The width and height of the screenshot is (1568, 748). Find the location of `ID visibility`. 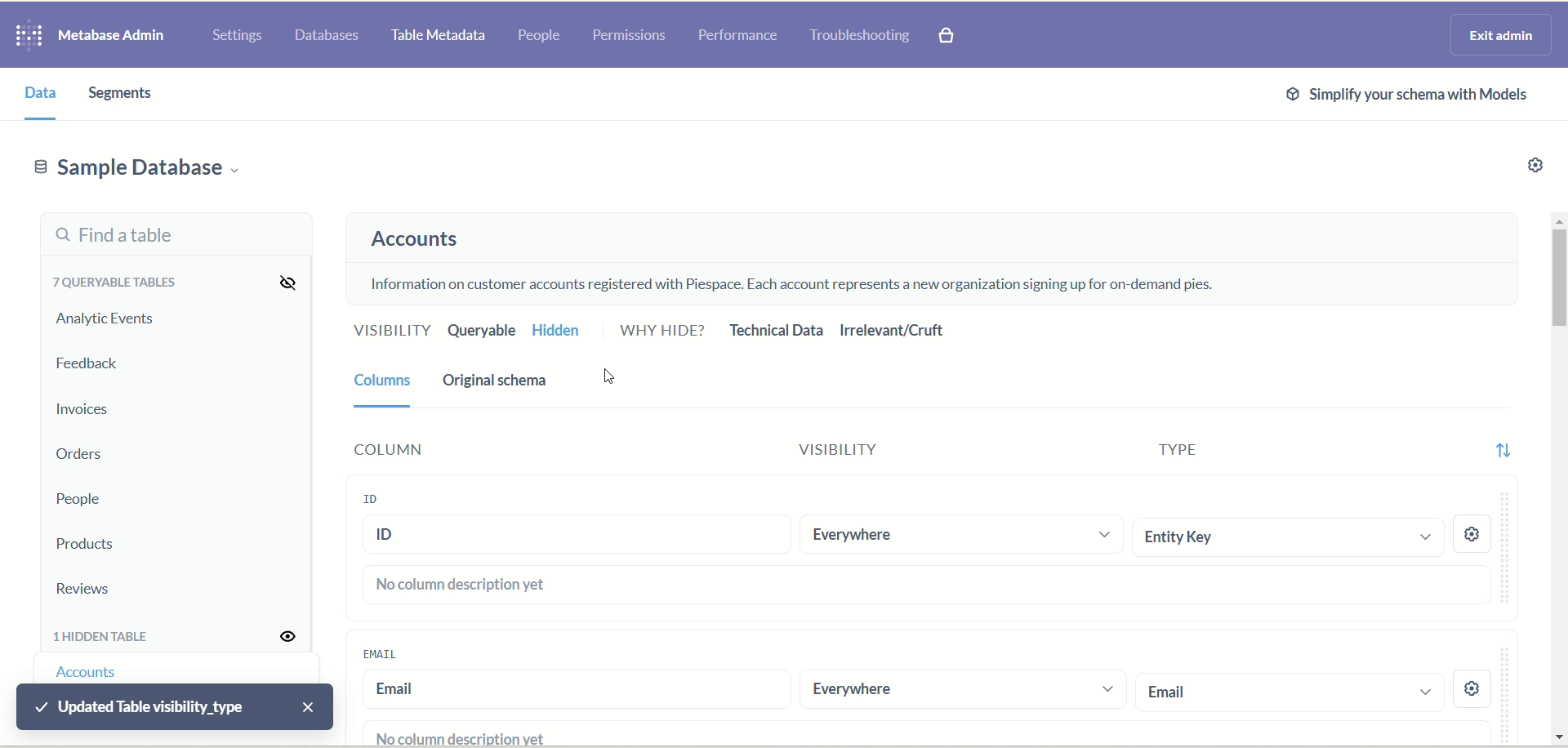

ID visibility is located at coordinates (960, 531).